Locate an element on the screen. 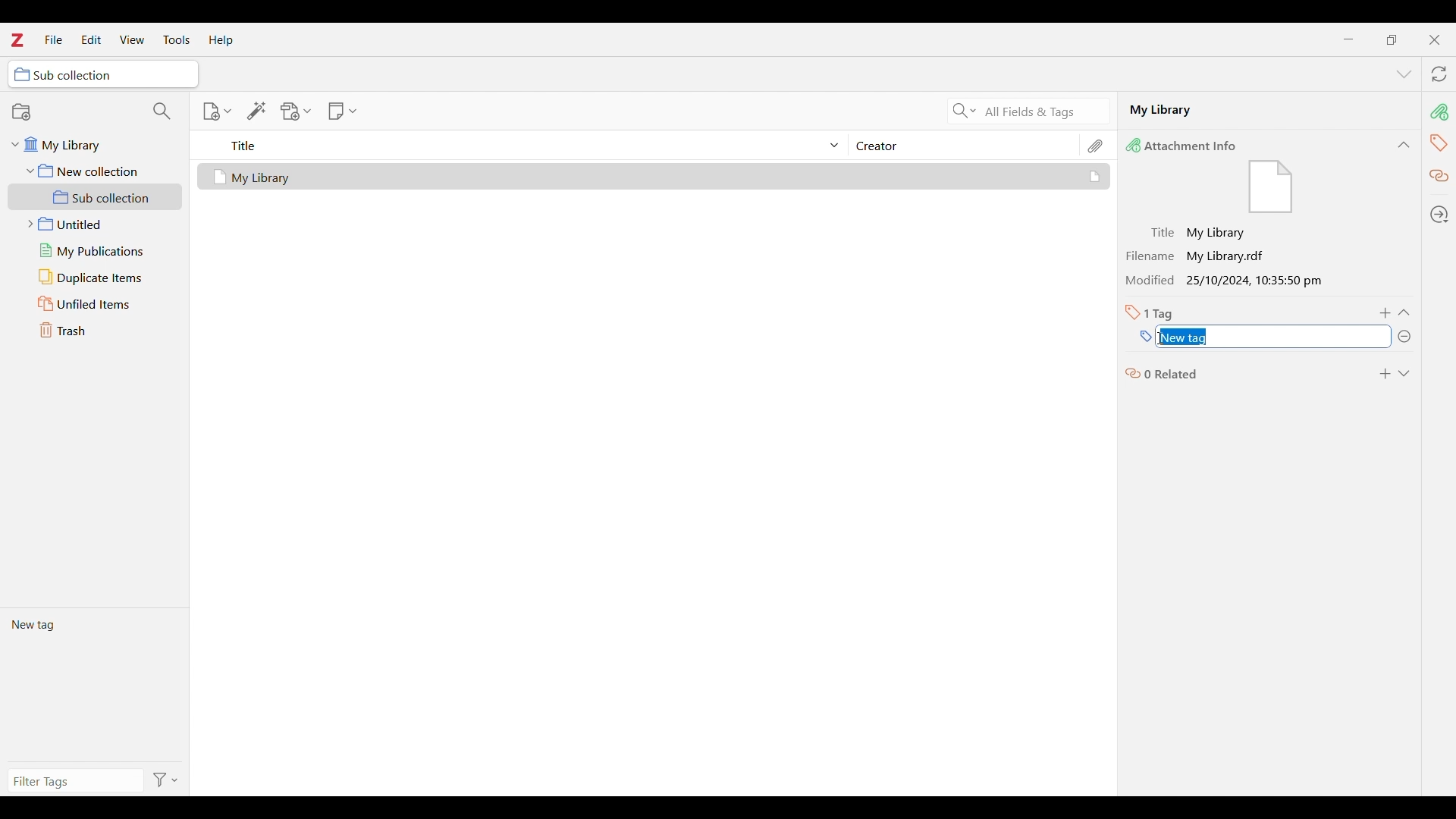 This screenshot has width=1456, height=819. Related is located at coordinates (1440, 177).